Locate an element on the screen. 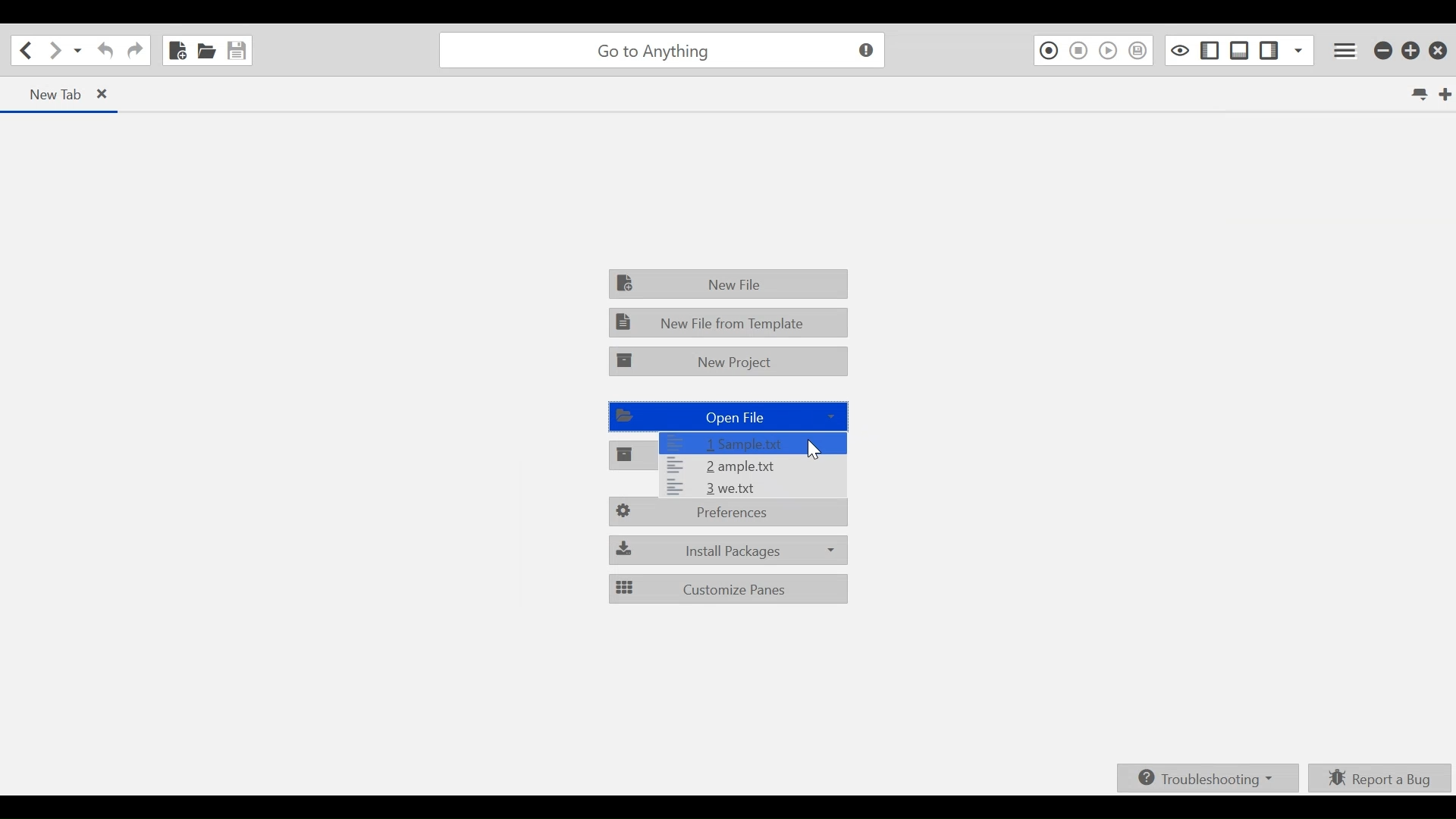  Search is located at coordinates (659, 49).